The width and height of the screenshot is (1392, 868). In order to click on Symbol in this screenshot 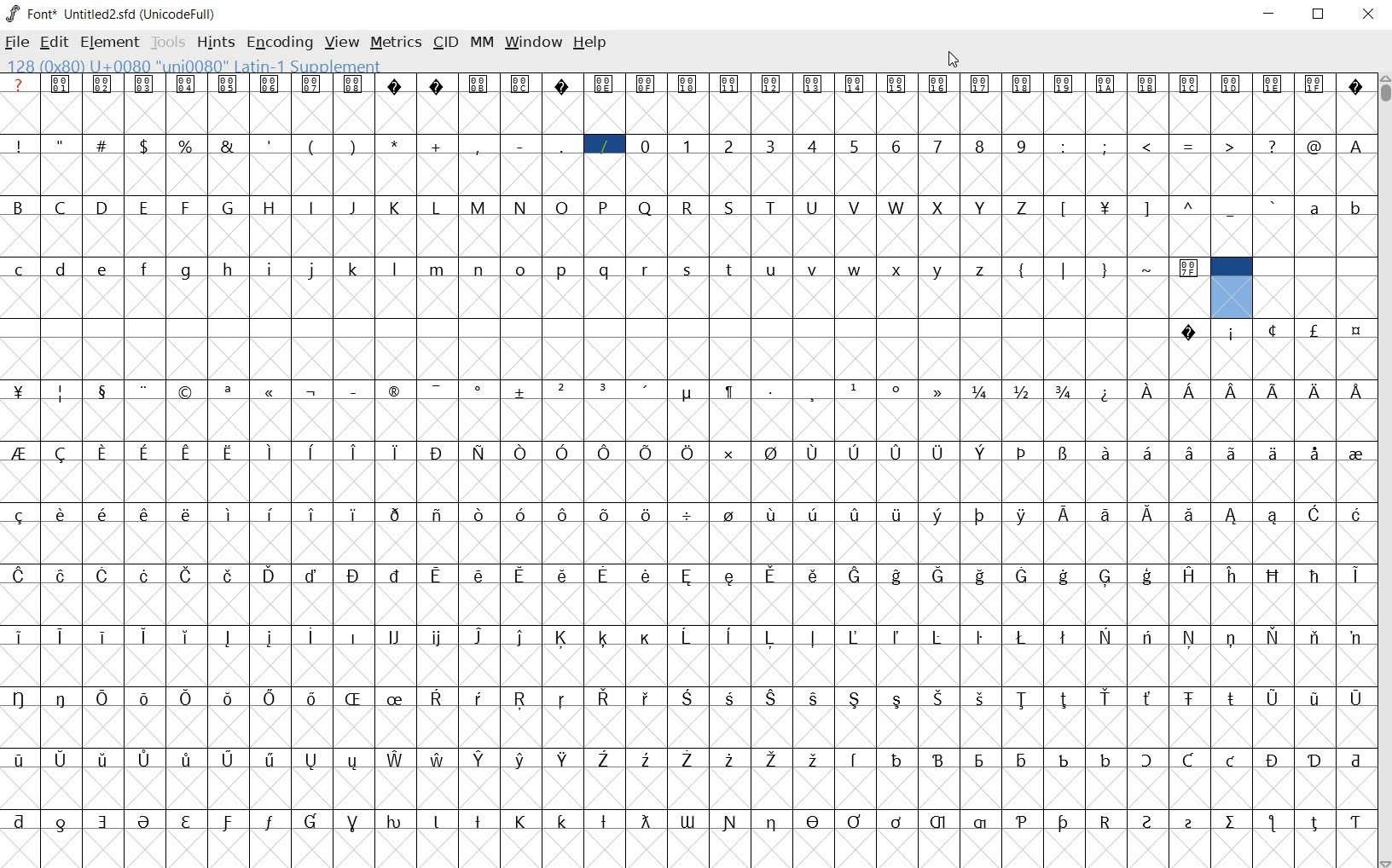, I will do `click(940, 574)`.